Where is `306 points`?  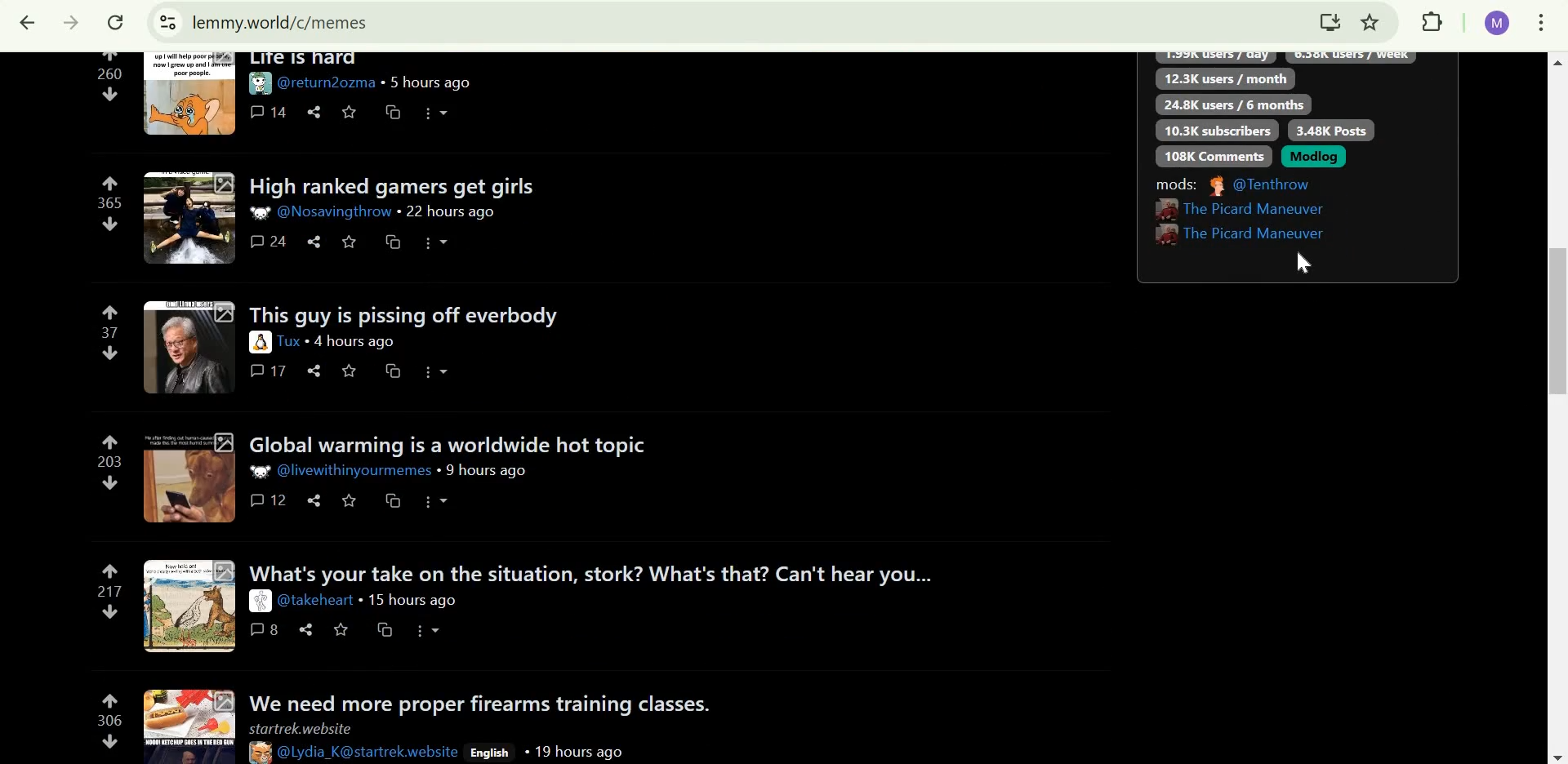
306 points is located at coordinates (110, 719).